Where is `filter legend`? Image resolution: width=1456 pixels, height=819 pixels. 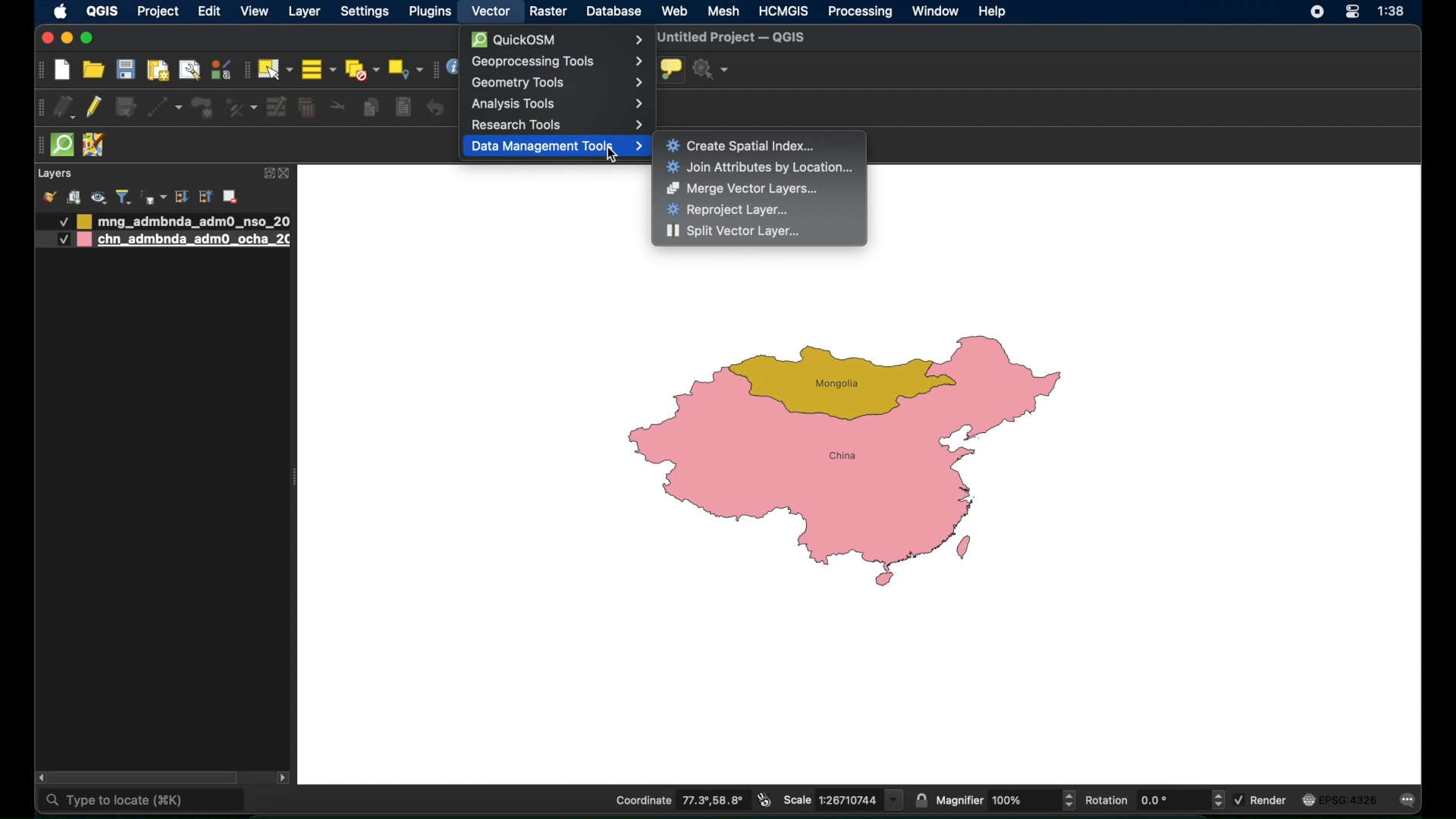
filter legend is located at coordinates (124, 196).